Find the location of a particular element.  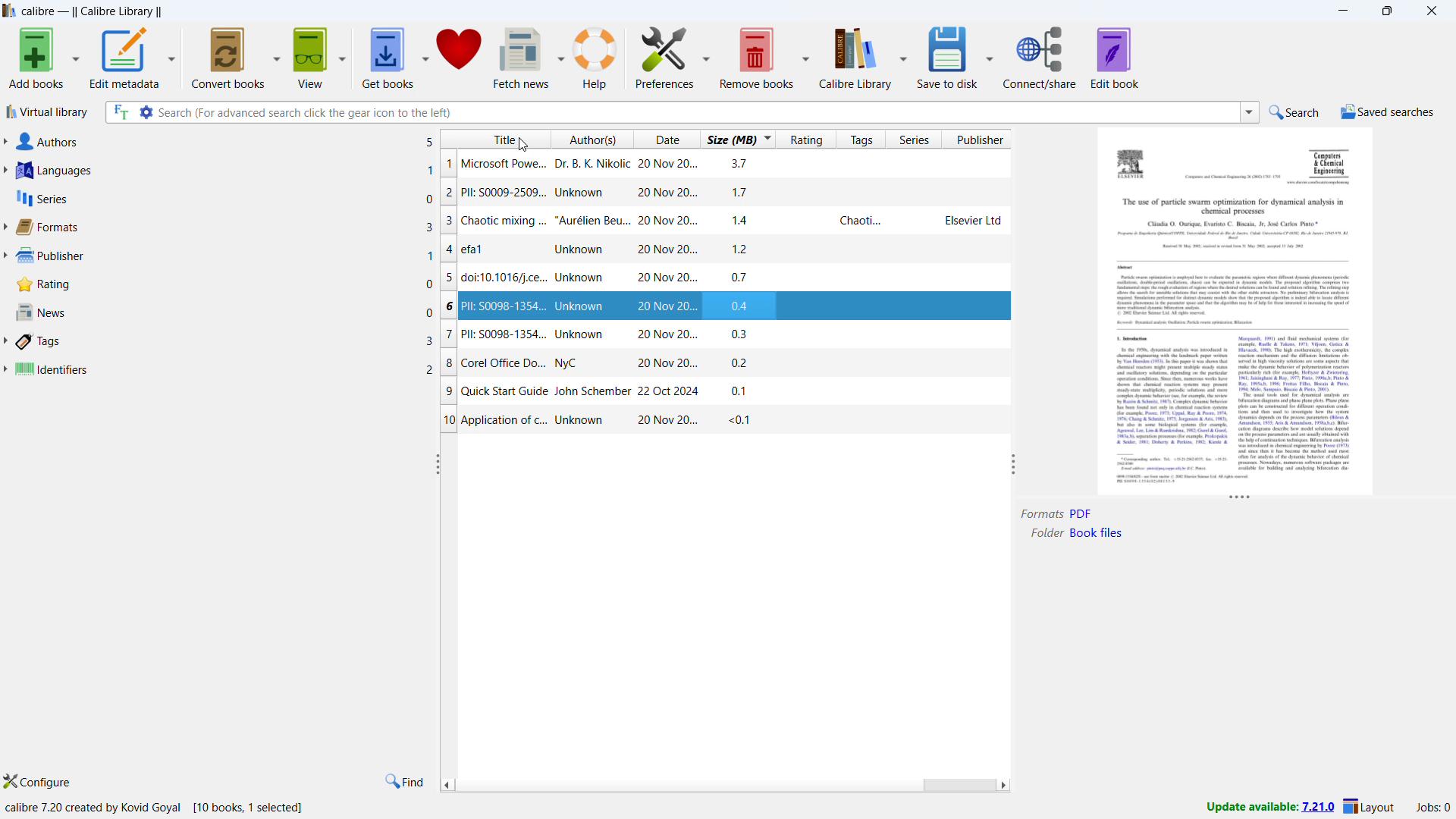

14 is located at coordinates (744, 221).